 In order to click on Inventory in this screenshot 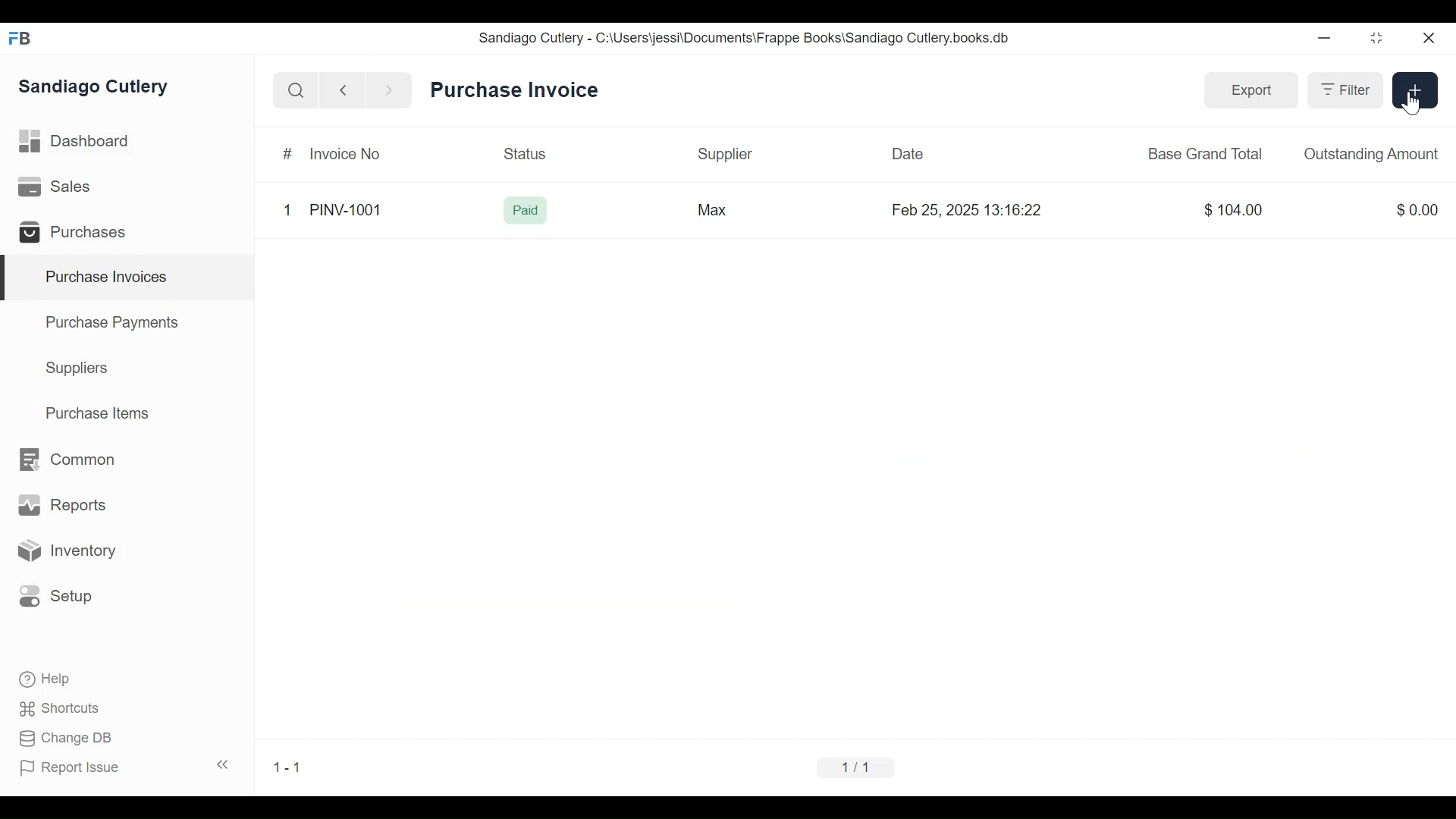, I will do `click(65, 551)`.